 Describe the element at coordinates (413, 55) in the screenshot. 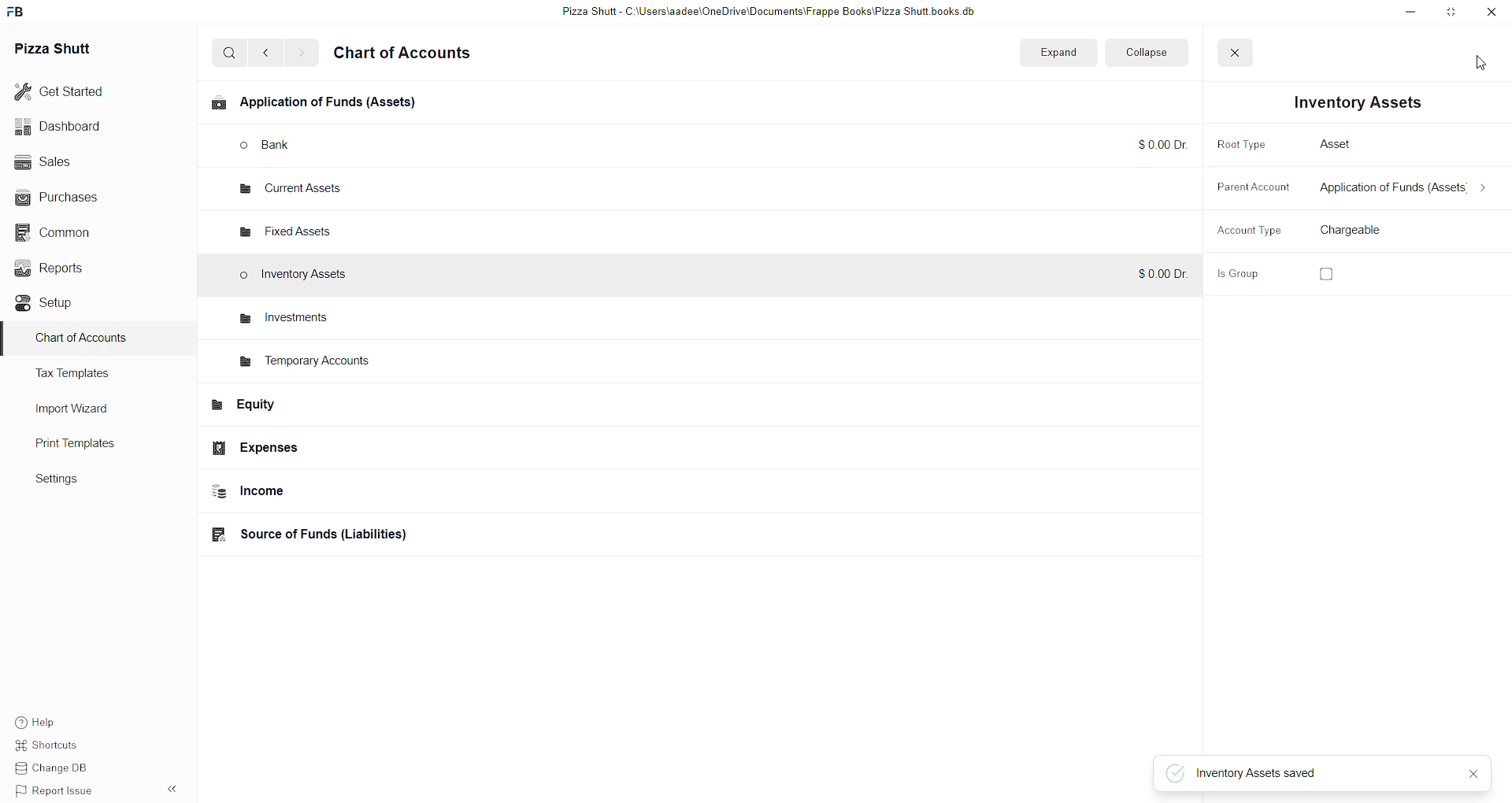

I see `Chart of accounts` at that location.